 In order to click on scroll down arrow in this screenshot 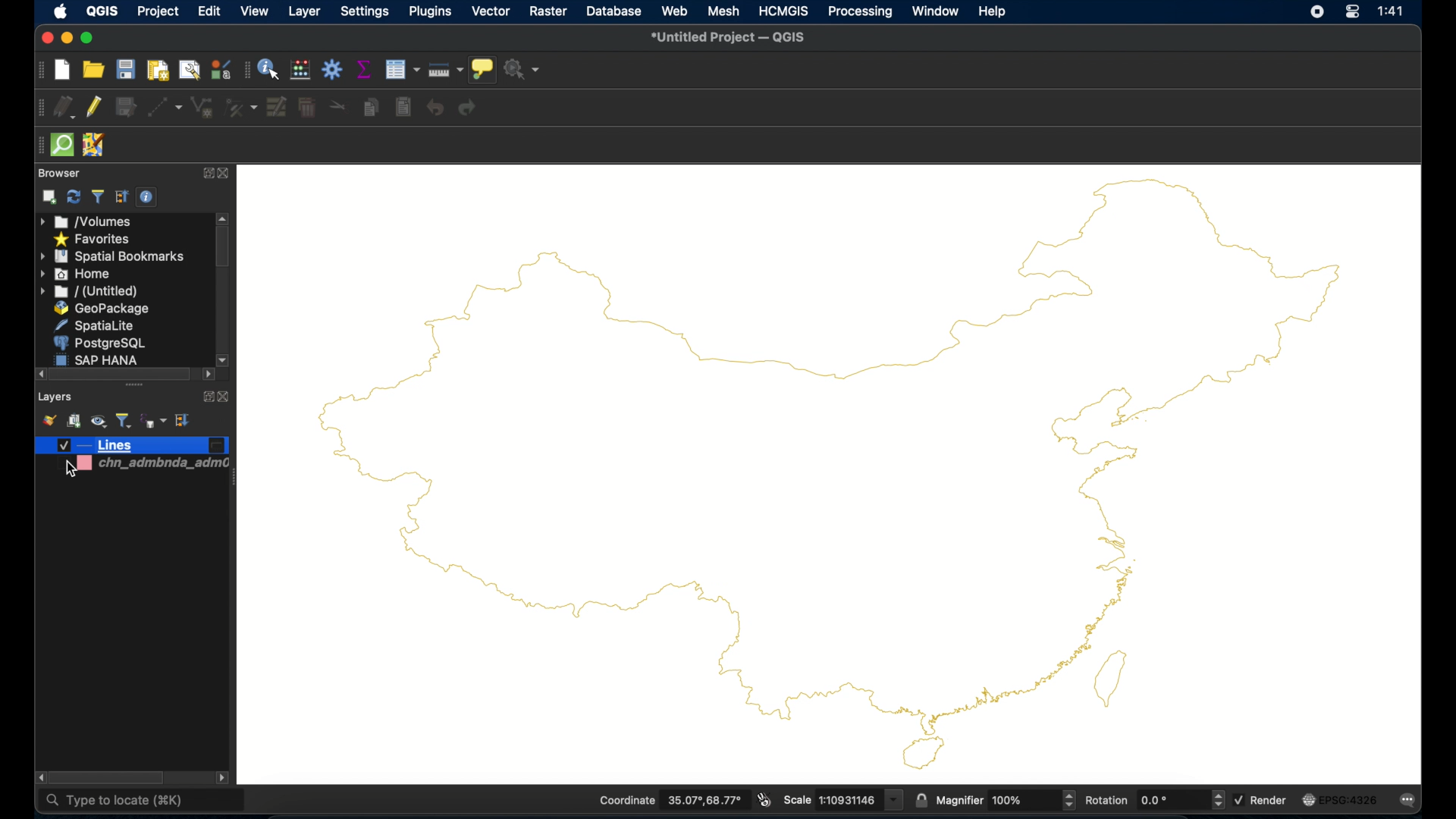, I will do `click(224, 359)`.